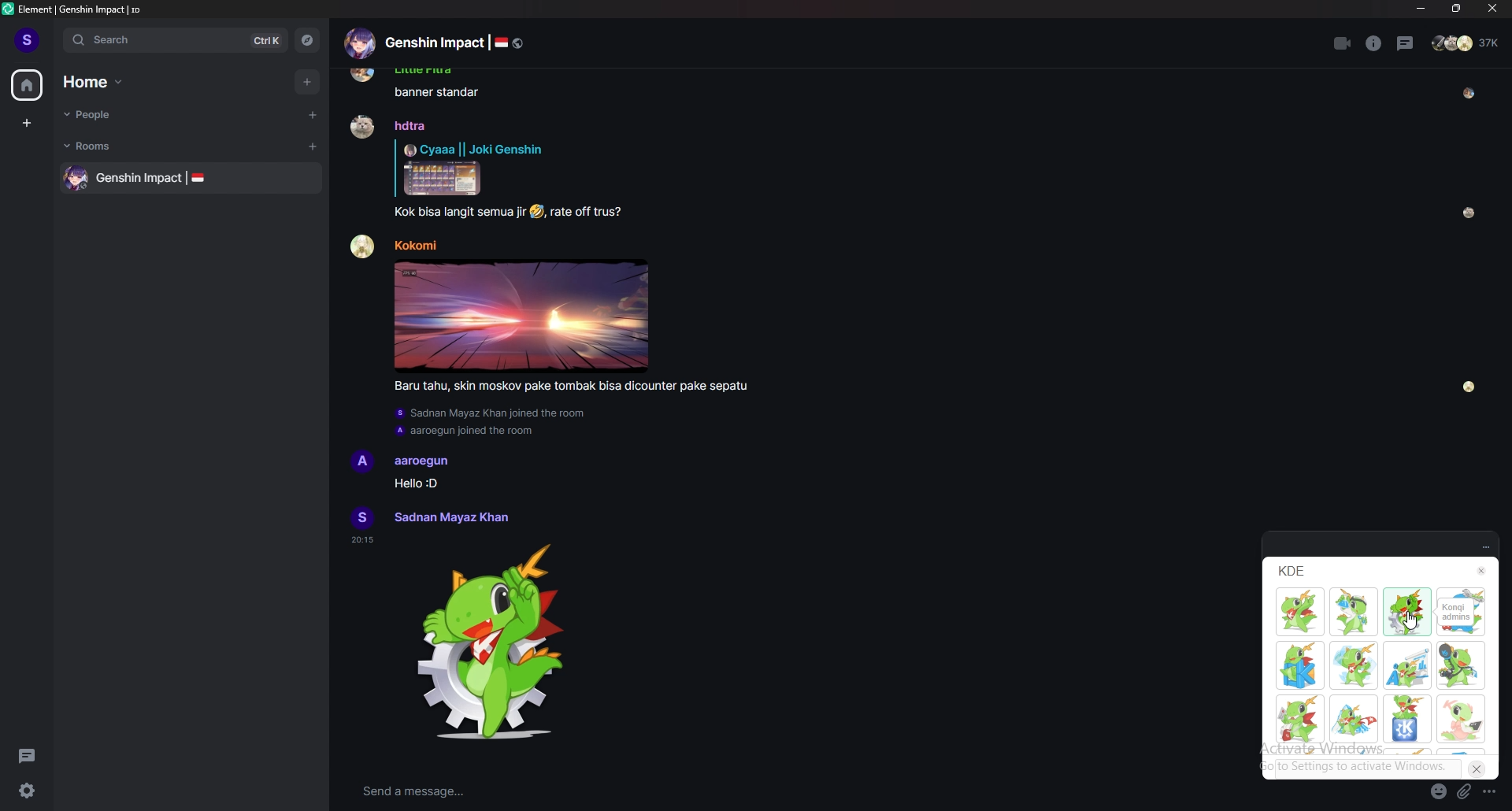 Image resolution: width=1512 pixels, height=811 pixels. Describe the element at coordinates (1464, 792) in the screenshot. I see `Attach file` at that location.